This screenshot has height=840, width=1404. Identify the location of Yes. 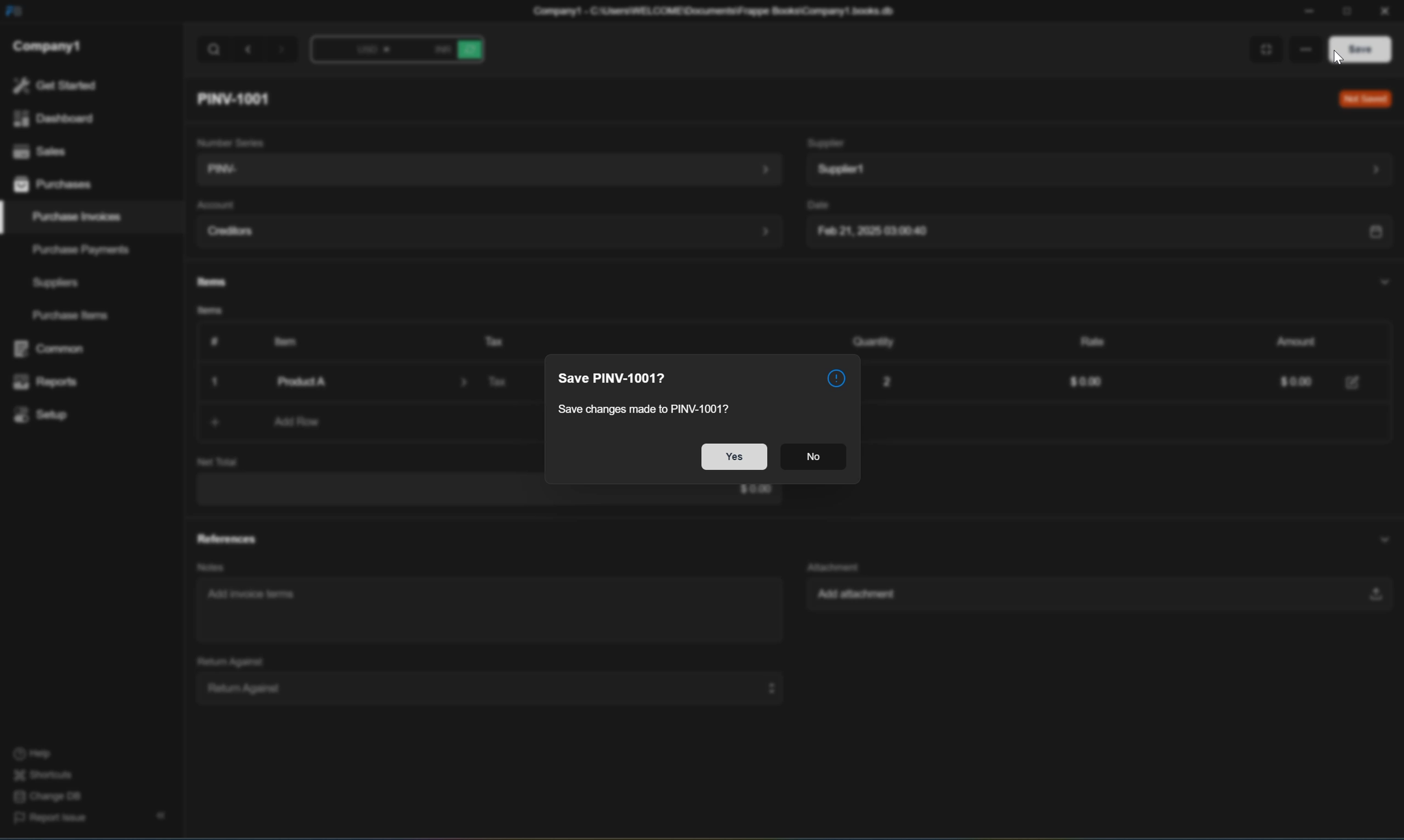
(733, 458).